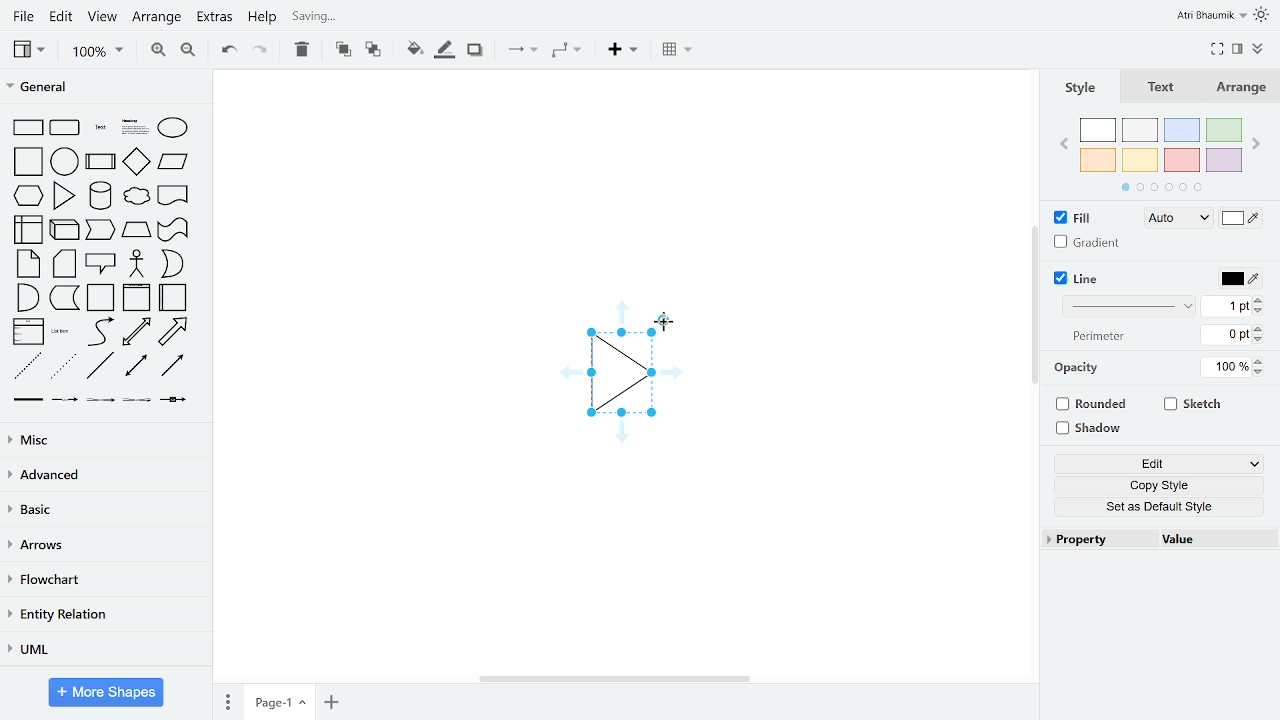 This screenshot has width=1280, height=720. What do you see at coordinates (279, 700) in the screenshot?
I see `current page` at bounding box center [279, 700].